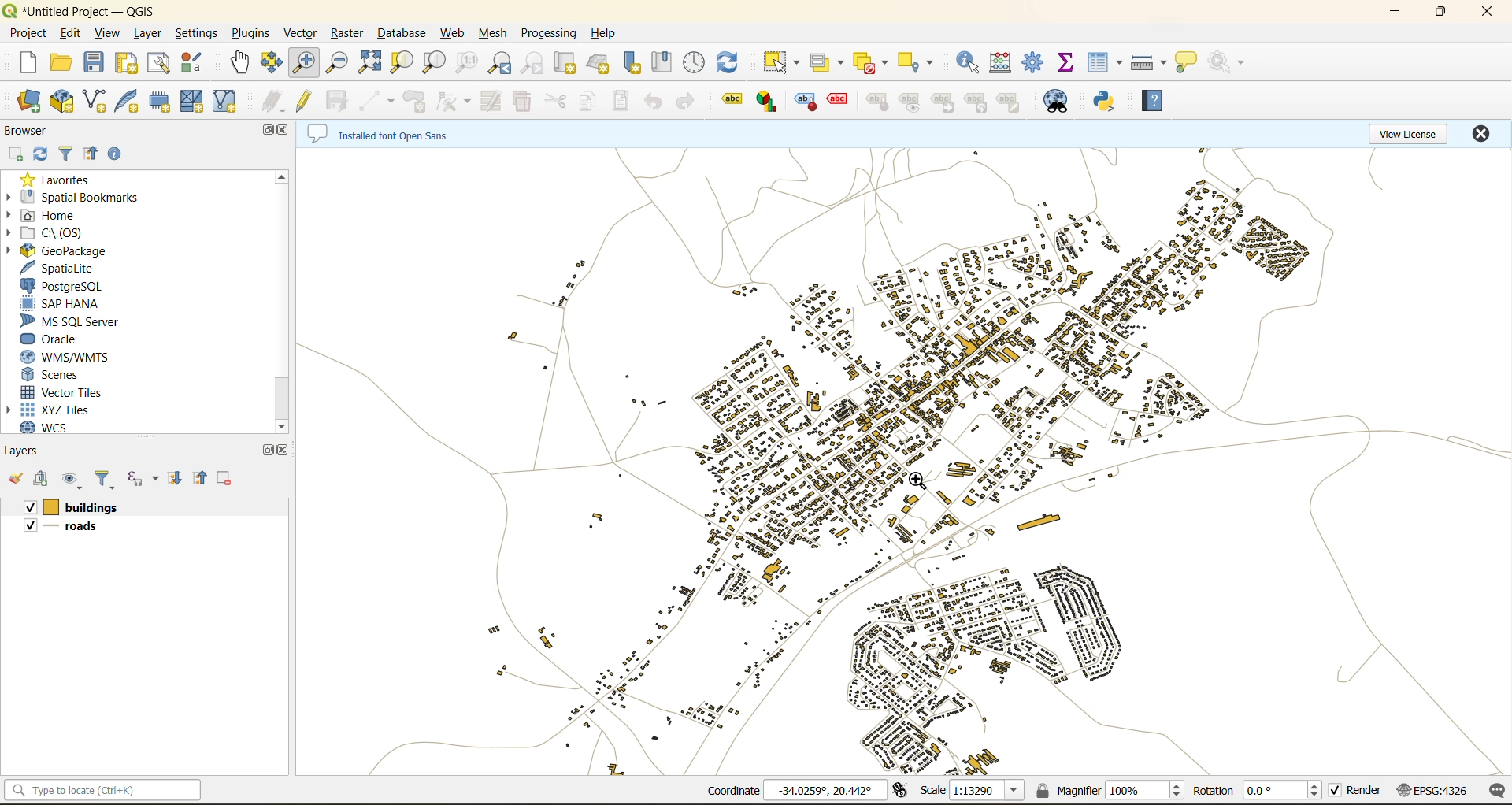 This screenshot has height=805, width=1512. Describe the element at coordinates (967, 62) in the screenshot. I see `identify features` at that location.